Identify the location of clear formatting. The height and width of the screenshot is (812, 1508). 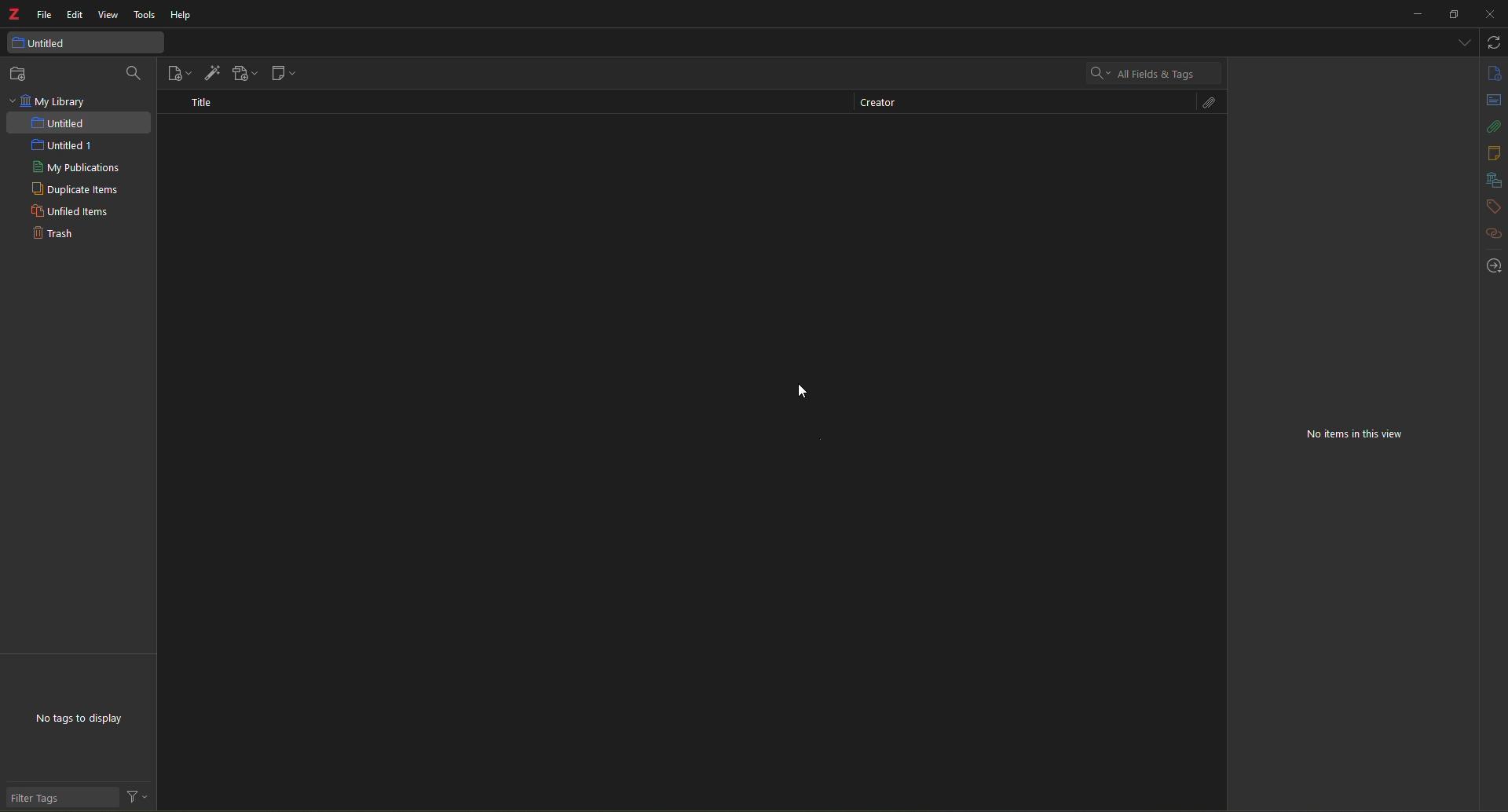
(1367, 75).